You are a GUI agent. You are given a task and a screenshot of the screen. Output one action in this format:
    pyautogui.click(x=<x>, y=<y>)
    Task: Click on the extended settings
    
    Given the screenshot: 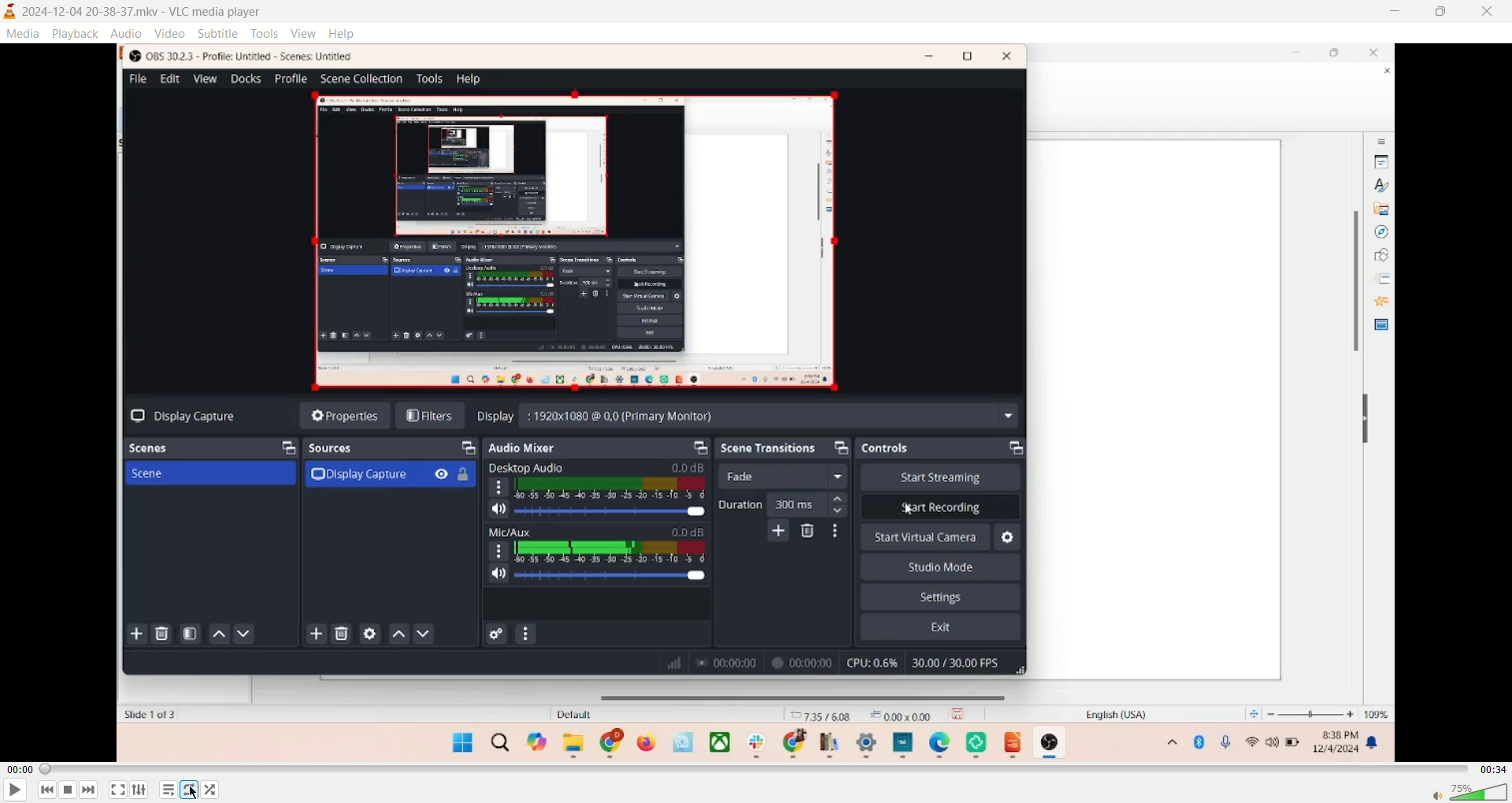 What is the action you would take?
    pyautogui.click(x=138, y=790)
    